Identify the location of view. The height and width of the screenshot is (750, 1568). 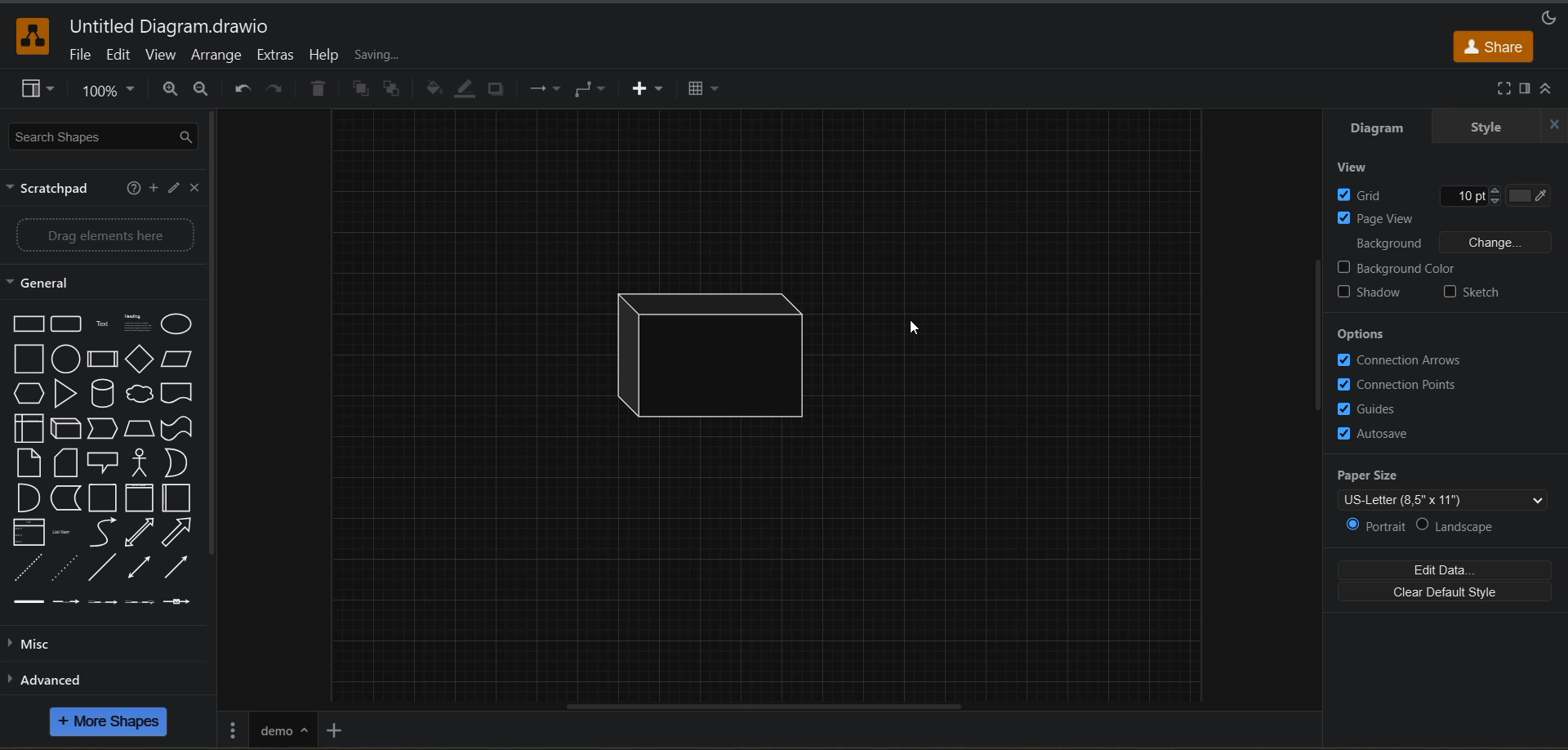
(38, 92).